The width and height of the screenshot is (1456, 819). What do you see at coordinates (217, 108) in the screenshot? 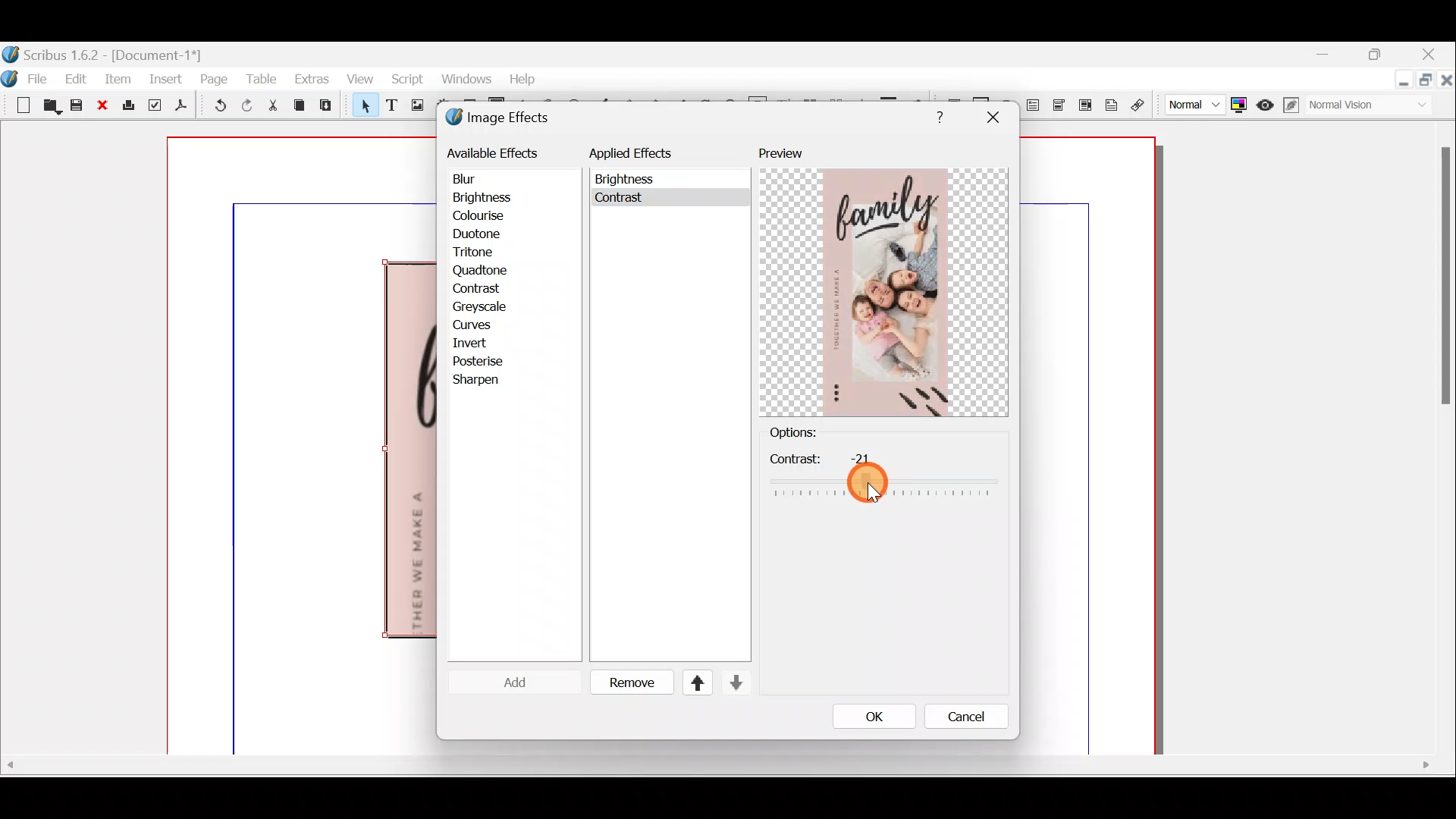
I see `Undo` at bounding box center [217, 108].